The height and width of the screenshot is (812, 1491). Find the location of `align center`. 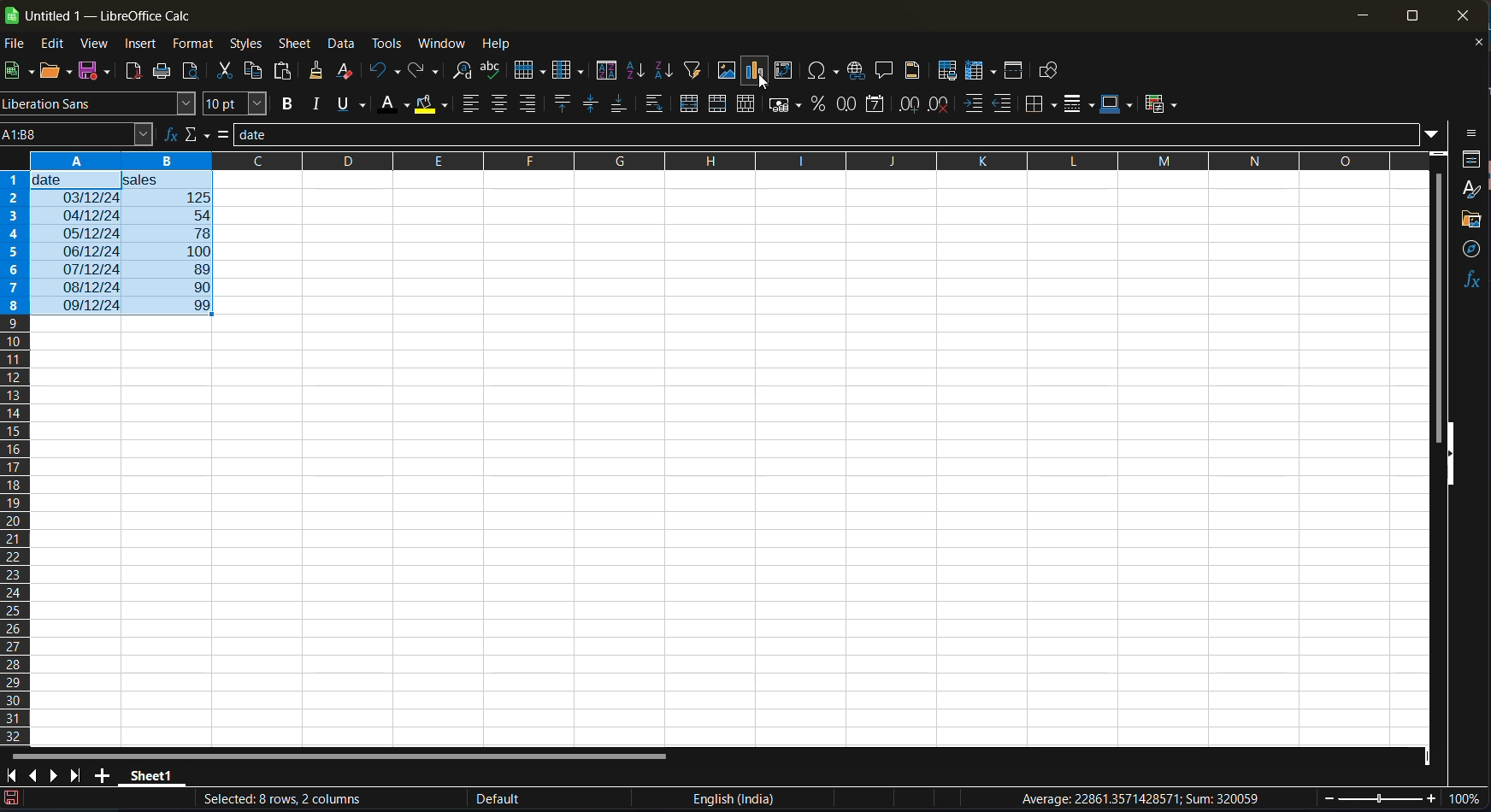

align center is located at coordinates (501, 103).